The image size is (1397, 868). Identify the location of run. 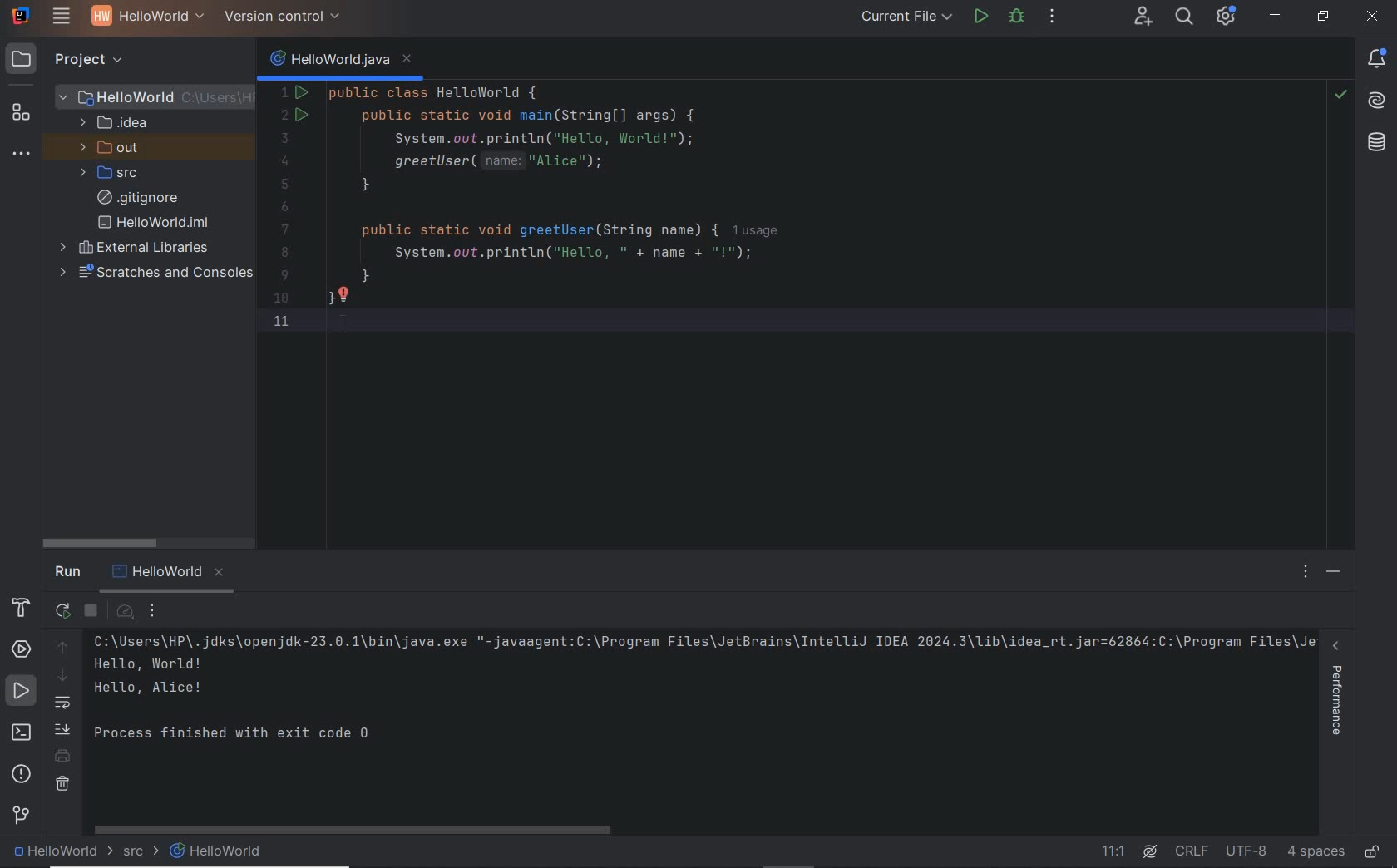
(982, 17).